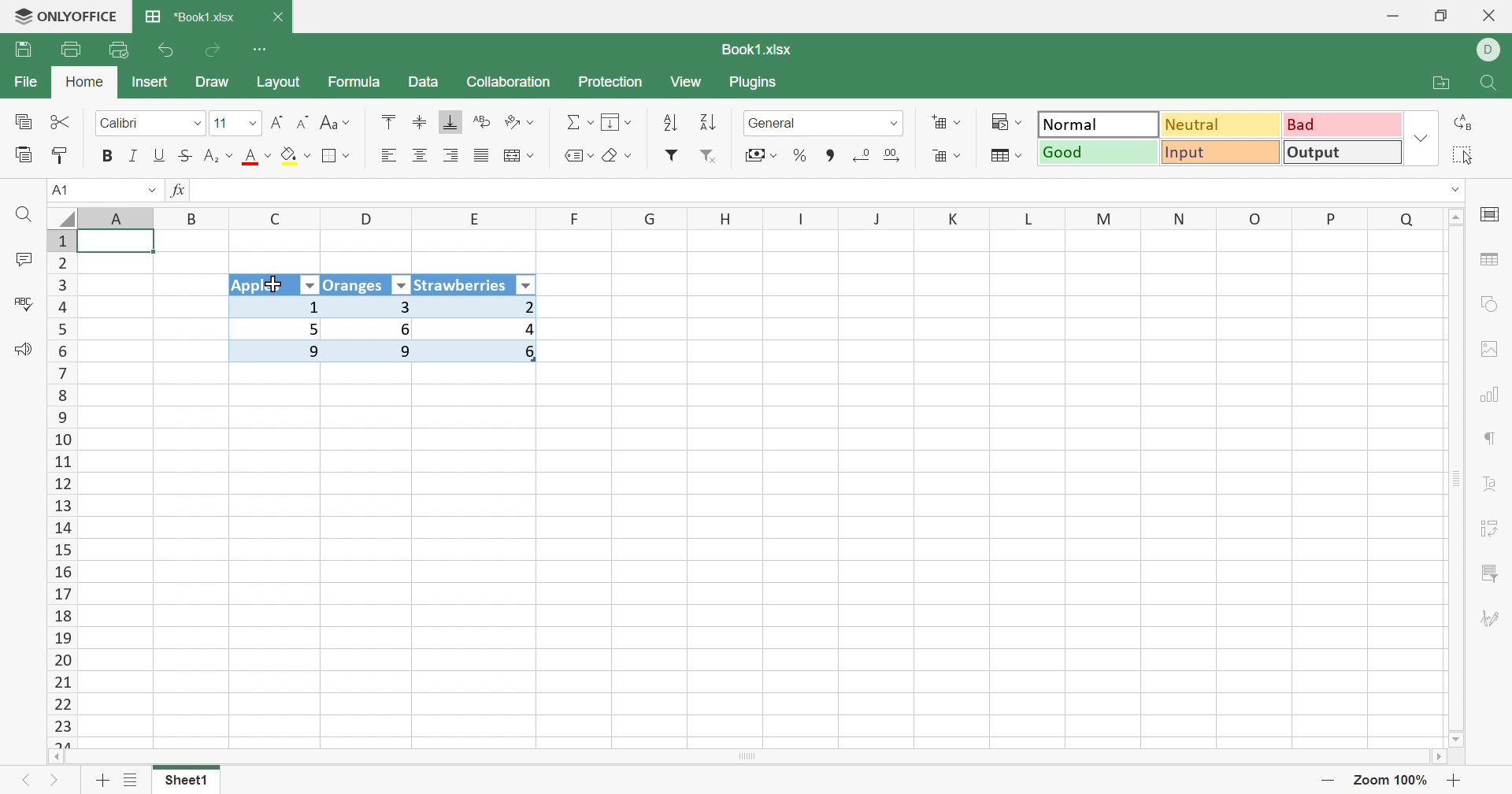  What do you see at coordinates (424, 83) in the screenshot?
I see `Data` at bounding box center [424, 83].